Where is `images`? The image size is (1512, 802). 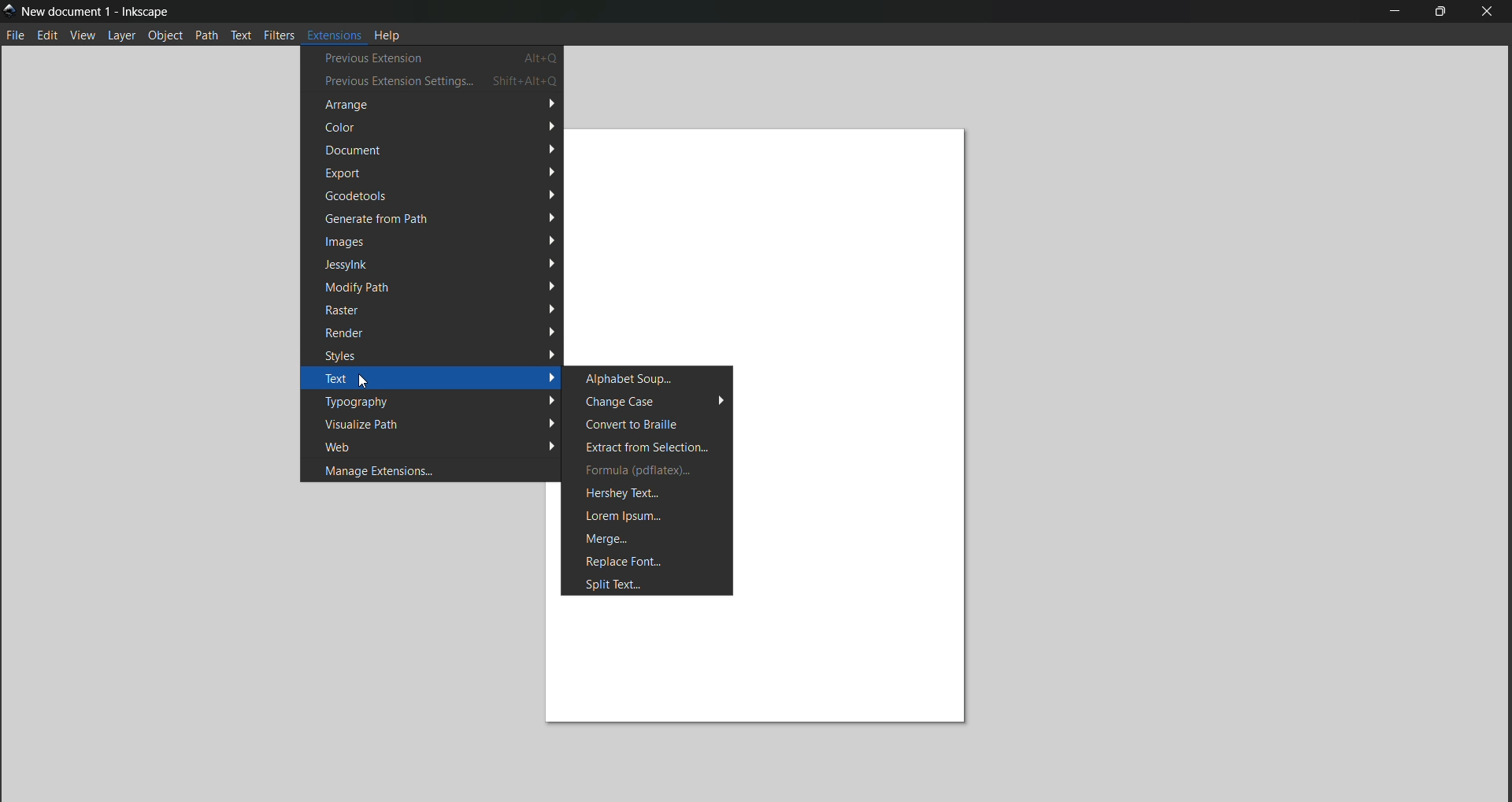
images is located at coordinates (440, 240).